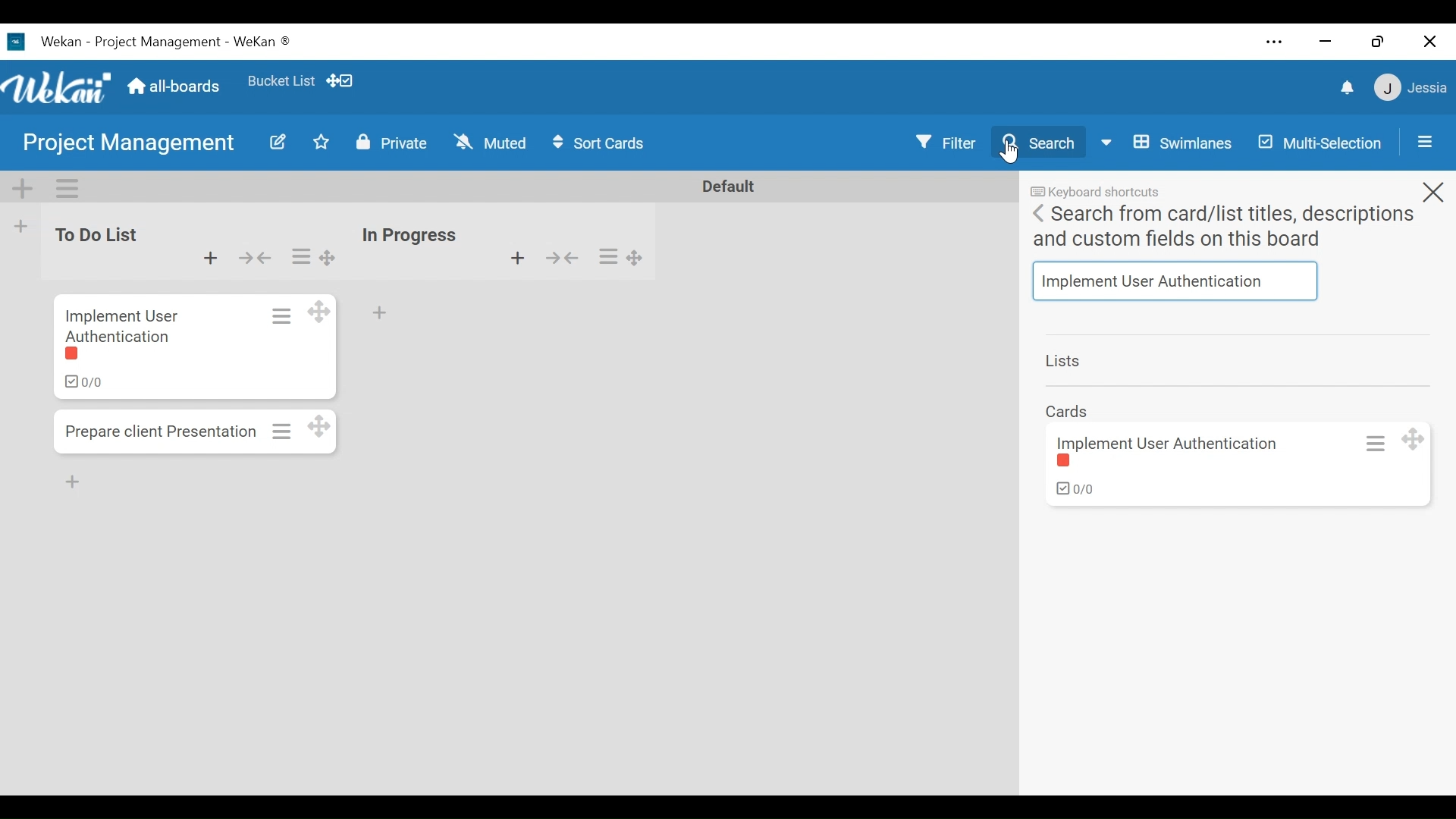 The height and width of the screenshot is (819, 1456). Describe the element at coordinates (22, 189) in the screenshot. I see `Add Swimlane` at that location.